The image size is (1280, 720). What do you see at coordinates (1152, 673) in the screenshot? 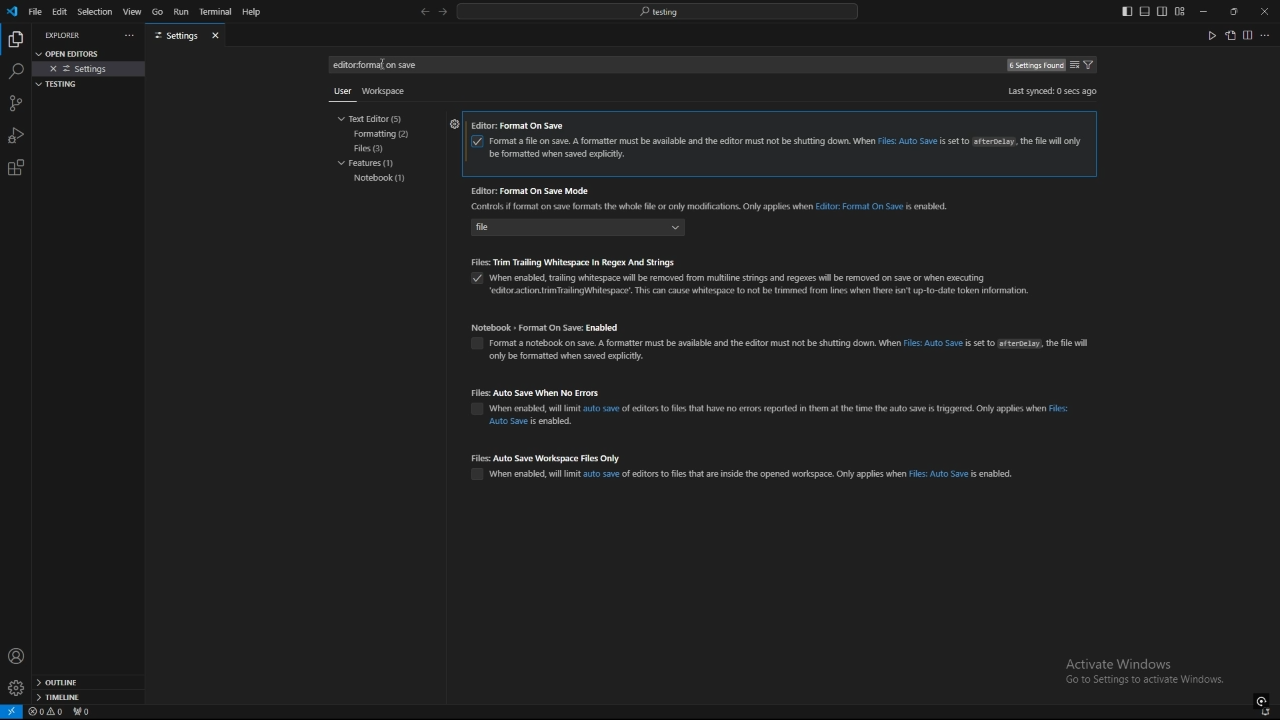
I see `Activate windows go to settings to activate windows` at bounding box center [1152, 673].